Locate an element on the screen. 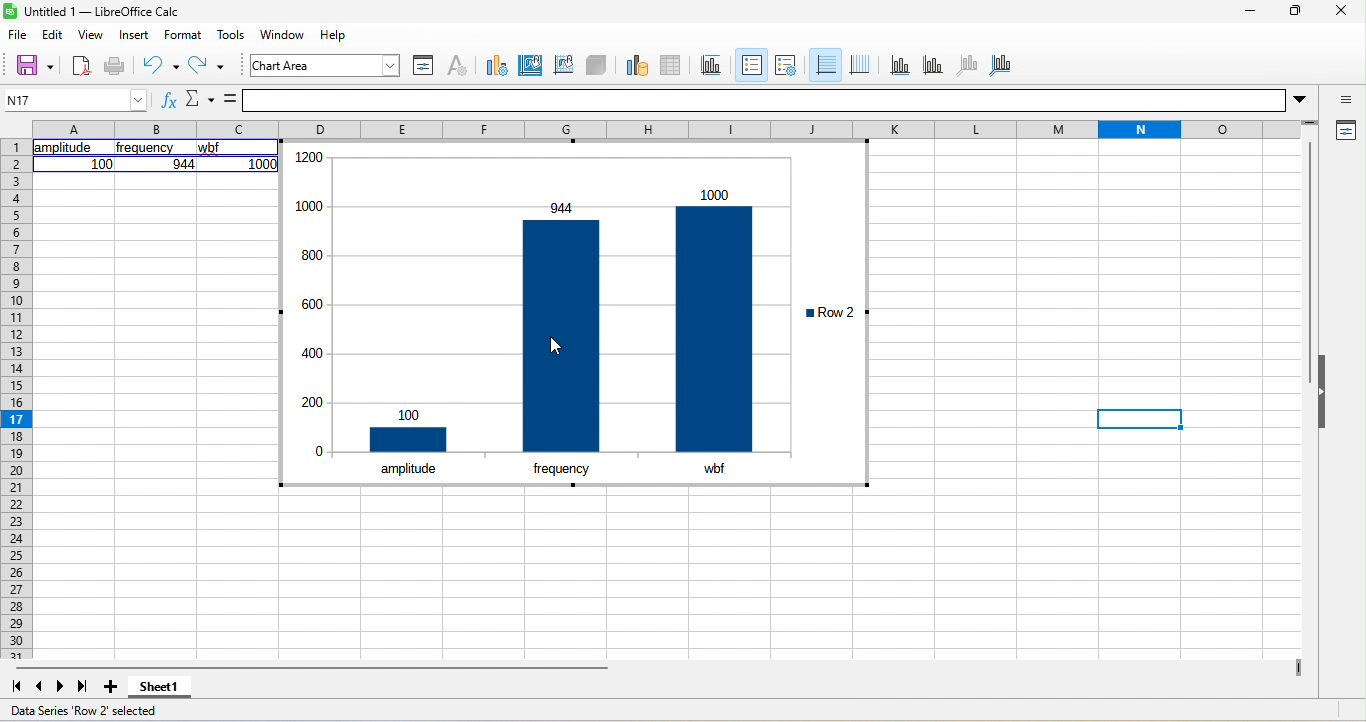 Image resolution: width=1366 pixels, height=722 pixels. z axis is located at coordinates (974, 66).